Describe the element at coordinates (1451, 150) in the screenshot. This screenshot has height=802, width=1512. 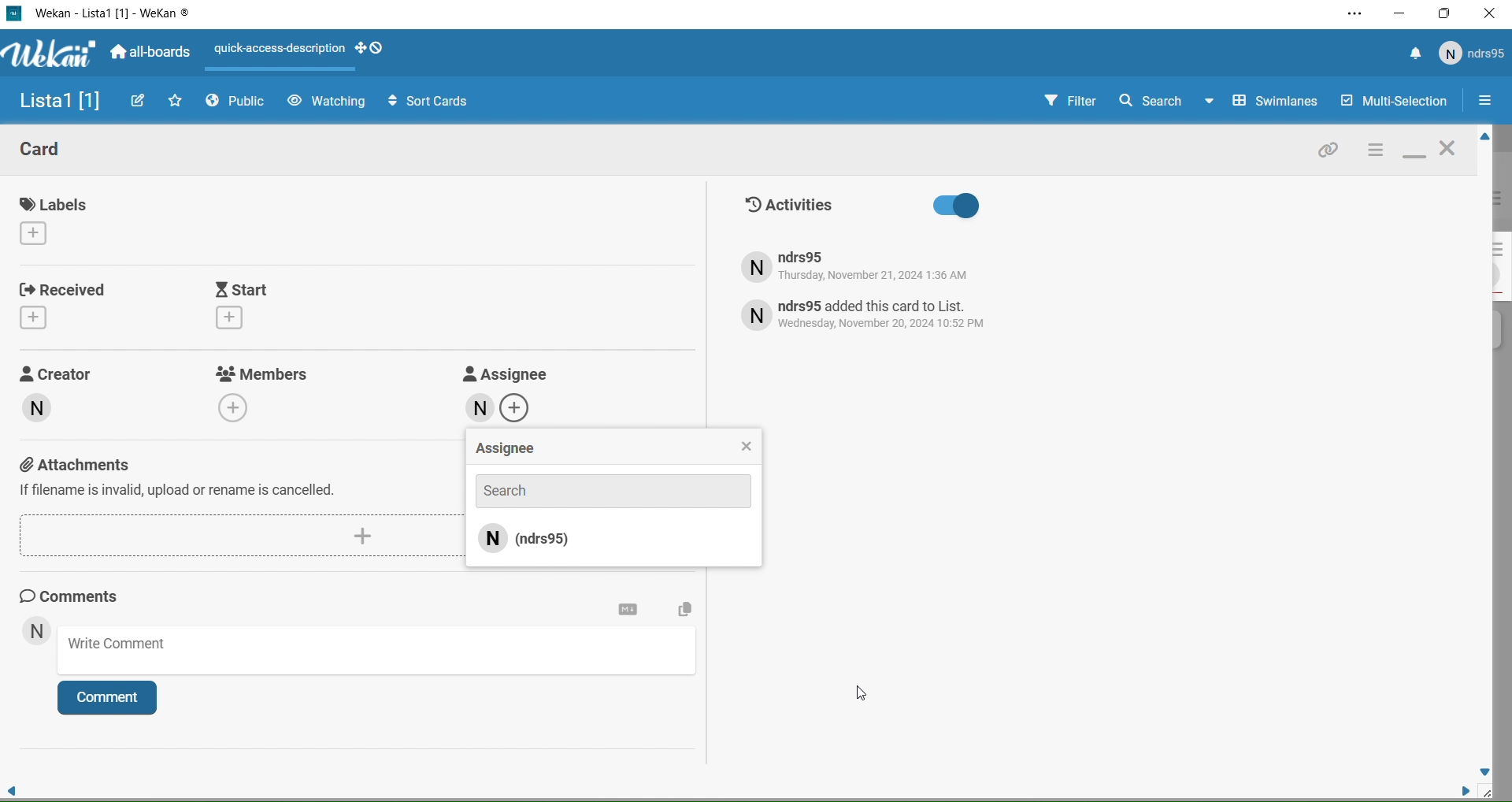
I see `close` at that location.